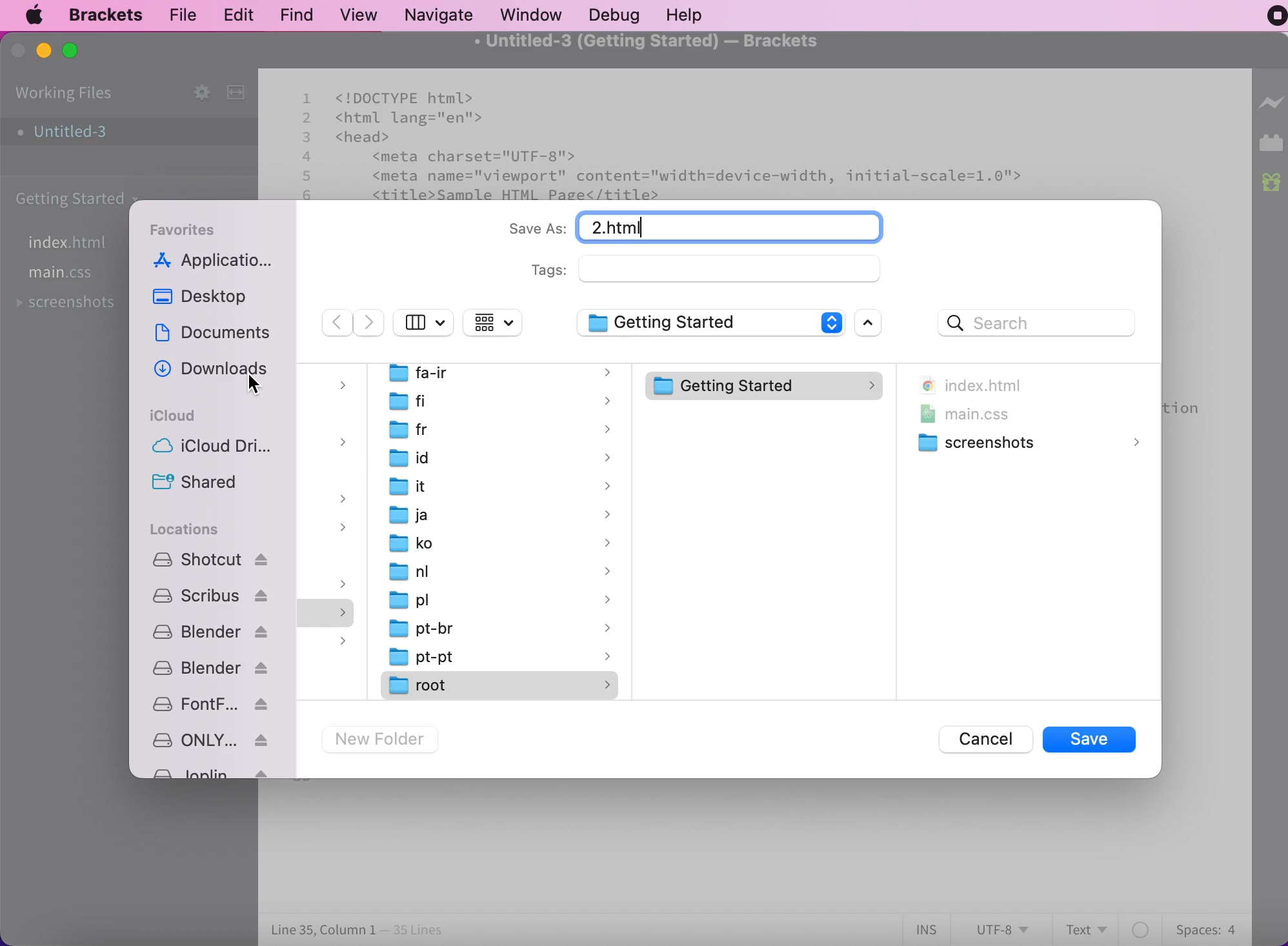 This screenshot has height=946, width=1288. I want to click on fr, so click(499, 428).